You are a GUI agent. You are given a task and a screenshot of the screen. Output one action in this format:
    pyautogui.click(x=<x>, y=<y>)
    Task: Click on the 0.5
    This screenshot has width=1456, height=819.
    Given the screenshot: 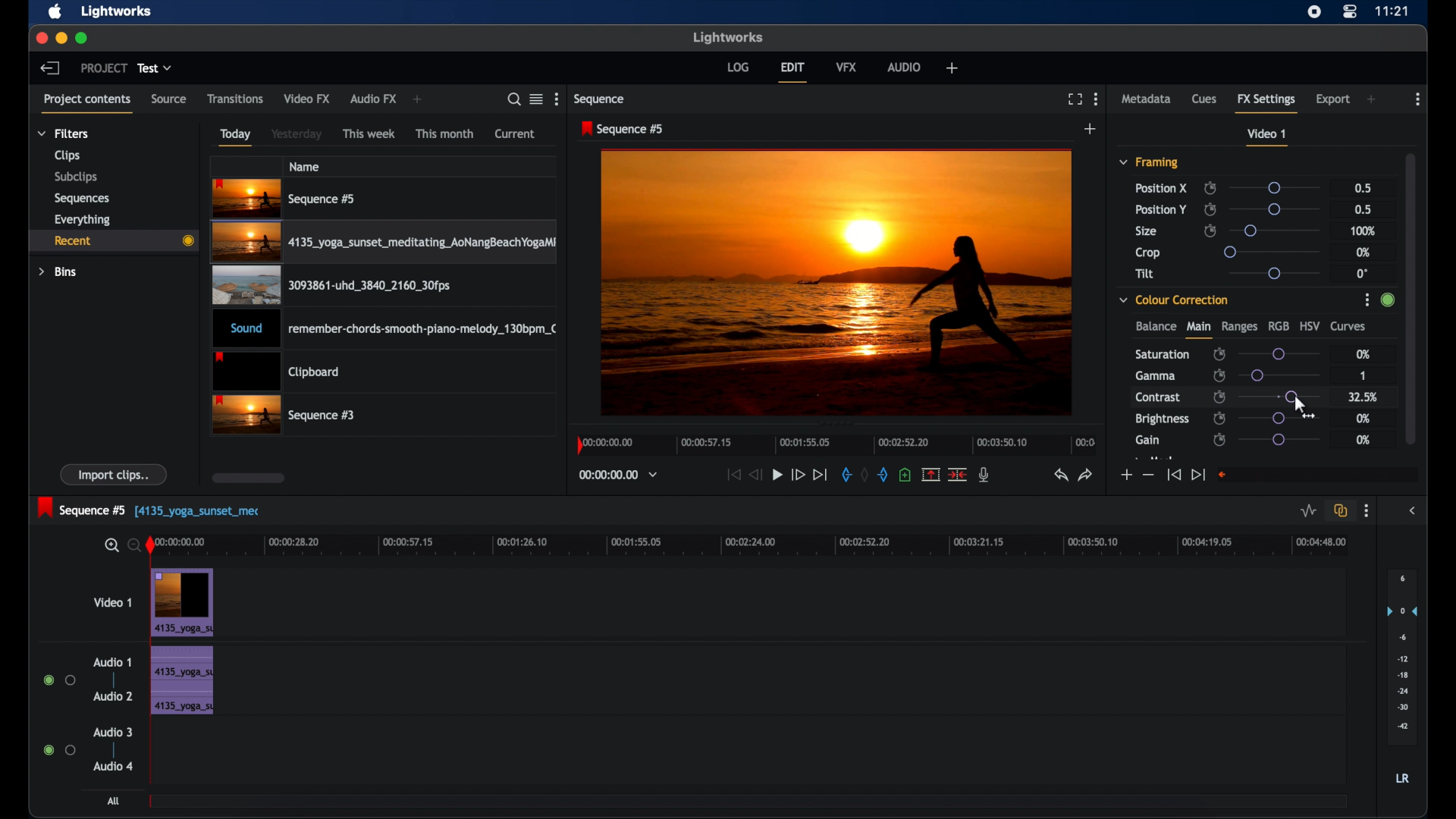 What is the action you would take?
    pyautogui.click(x=1363, y=187)
    